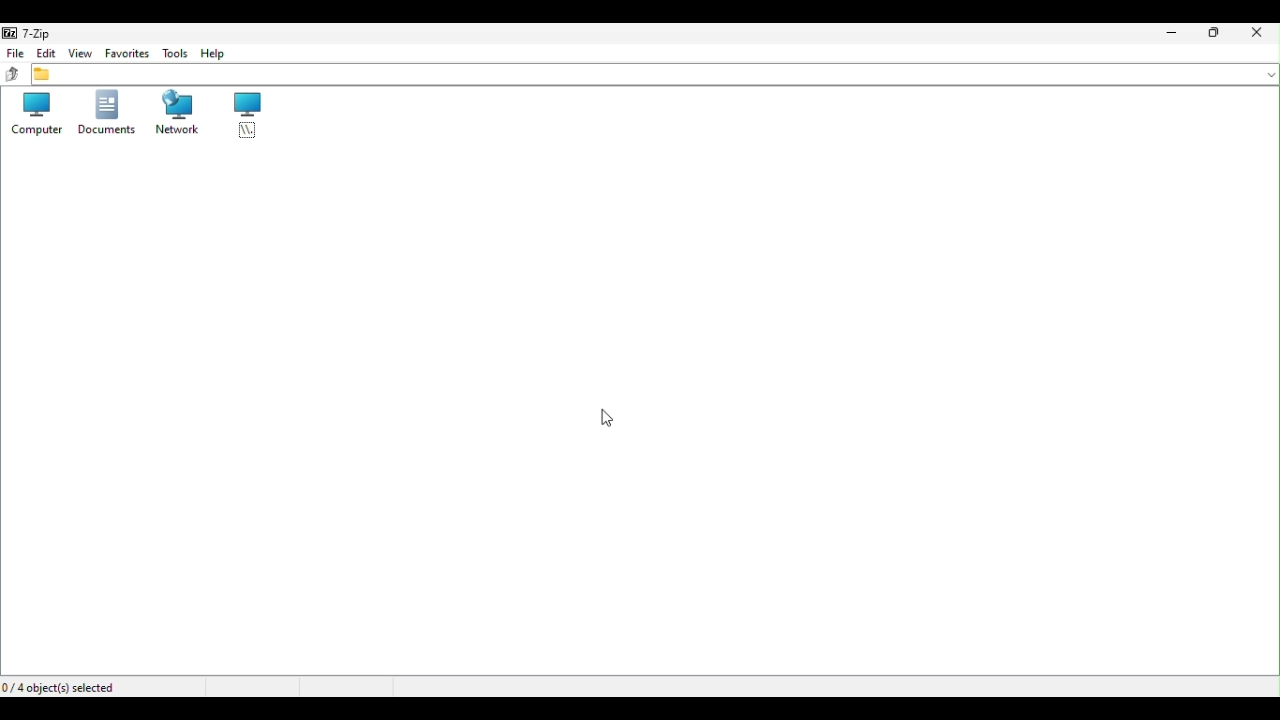  I want to click on Help, so click(215, 53).